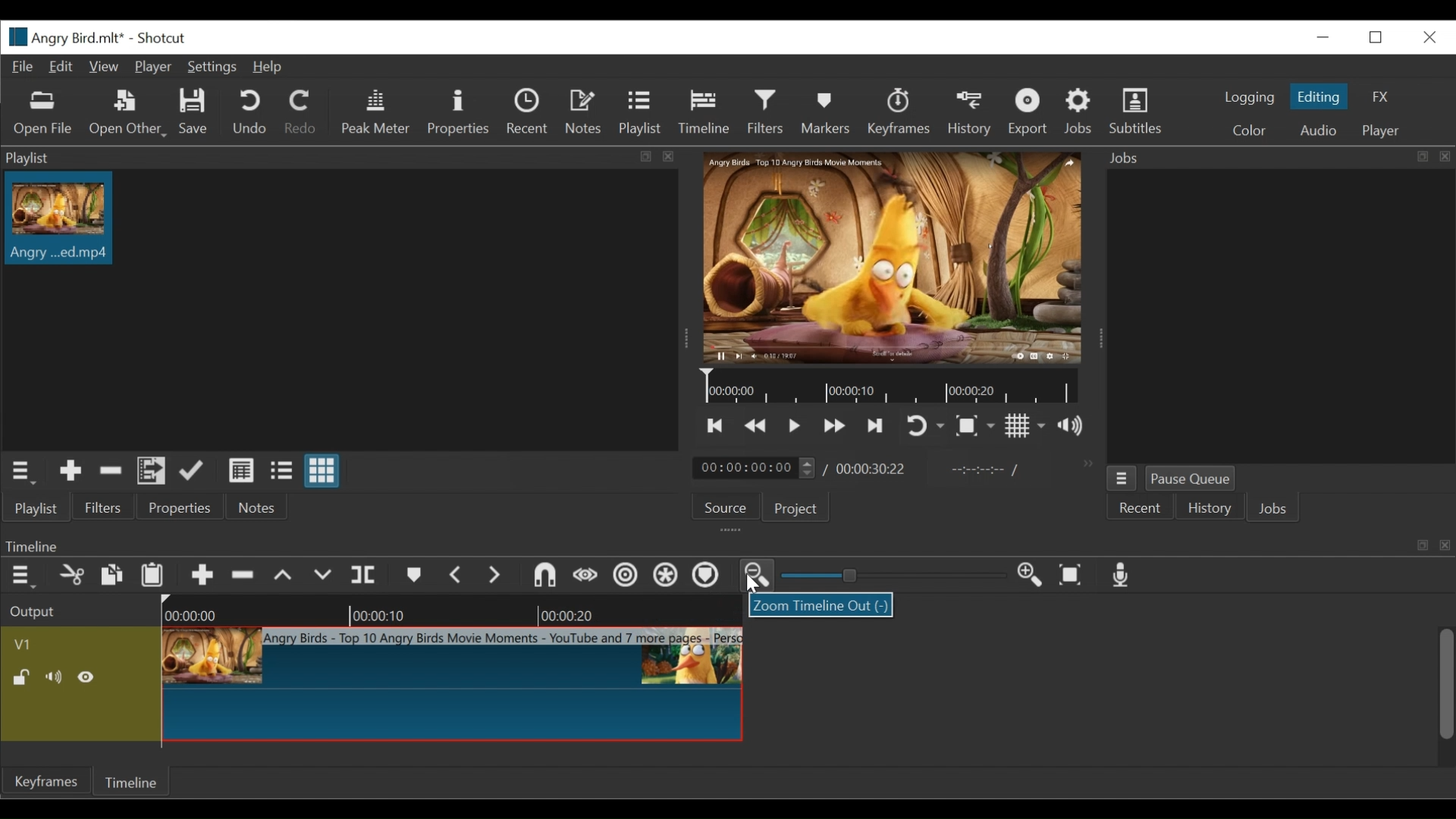 The image size is (1456, 819). Describe the element at coordinates (1382, 132) in the screenshot. I see `Player` at that location.